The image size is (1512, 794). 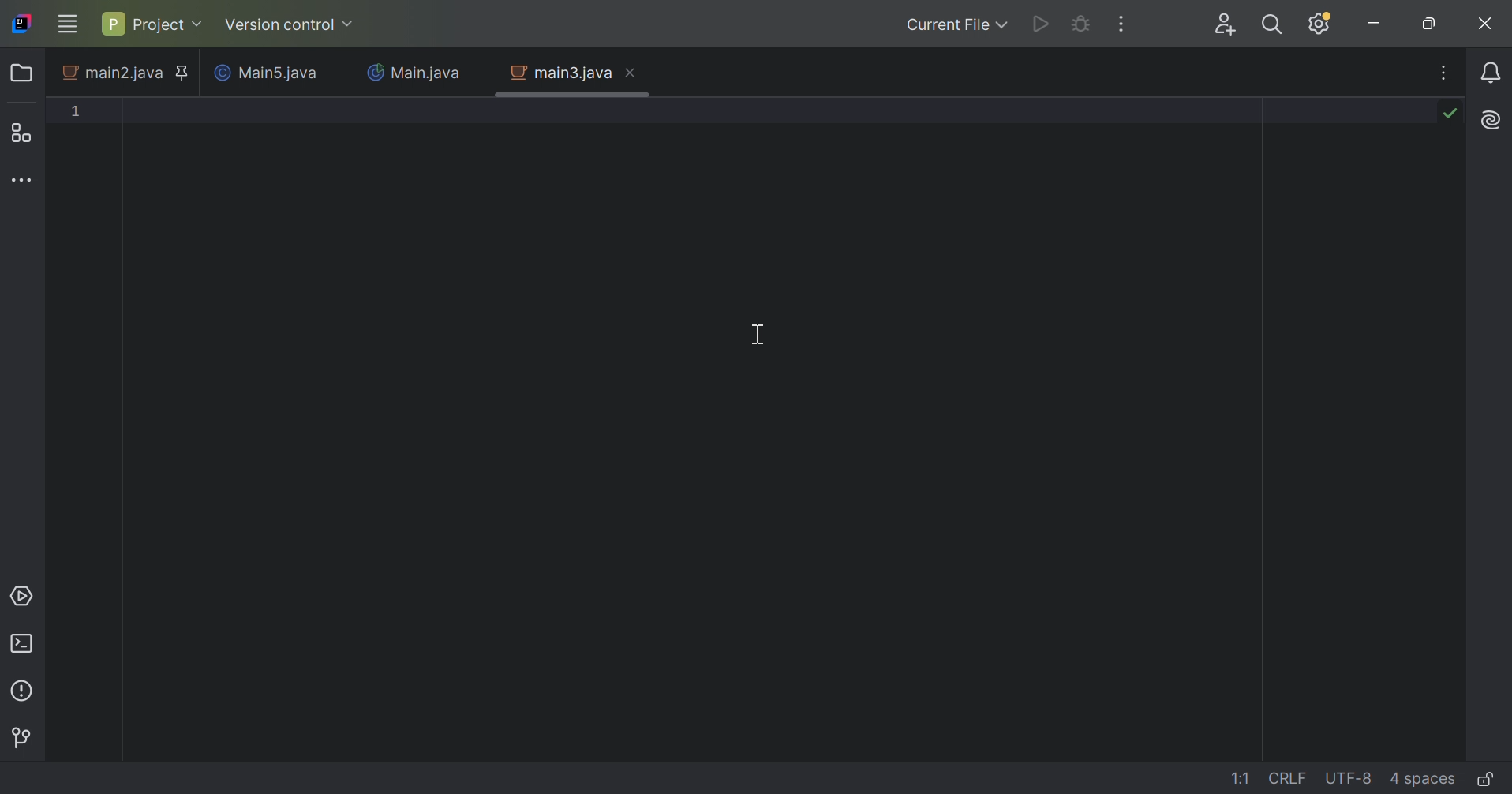 I want to click on main3.java, so click(x=560, y=73).